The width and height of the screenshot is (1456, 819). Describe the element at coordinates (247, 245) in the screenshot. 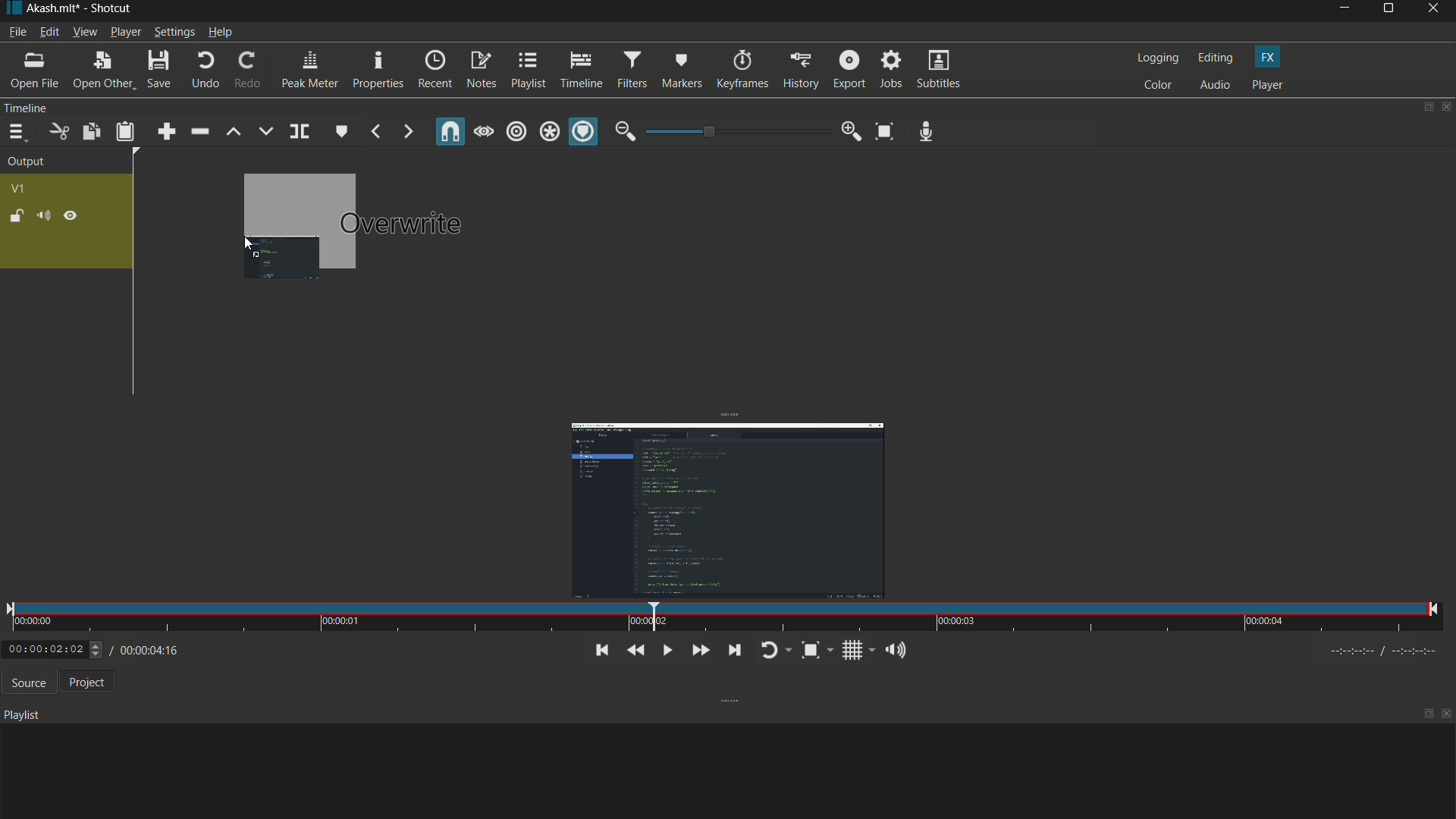

I see `cursor` at that location.